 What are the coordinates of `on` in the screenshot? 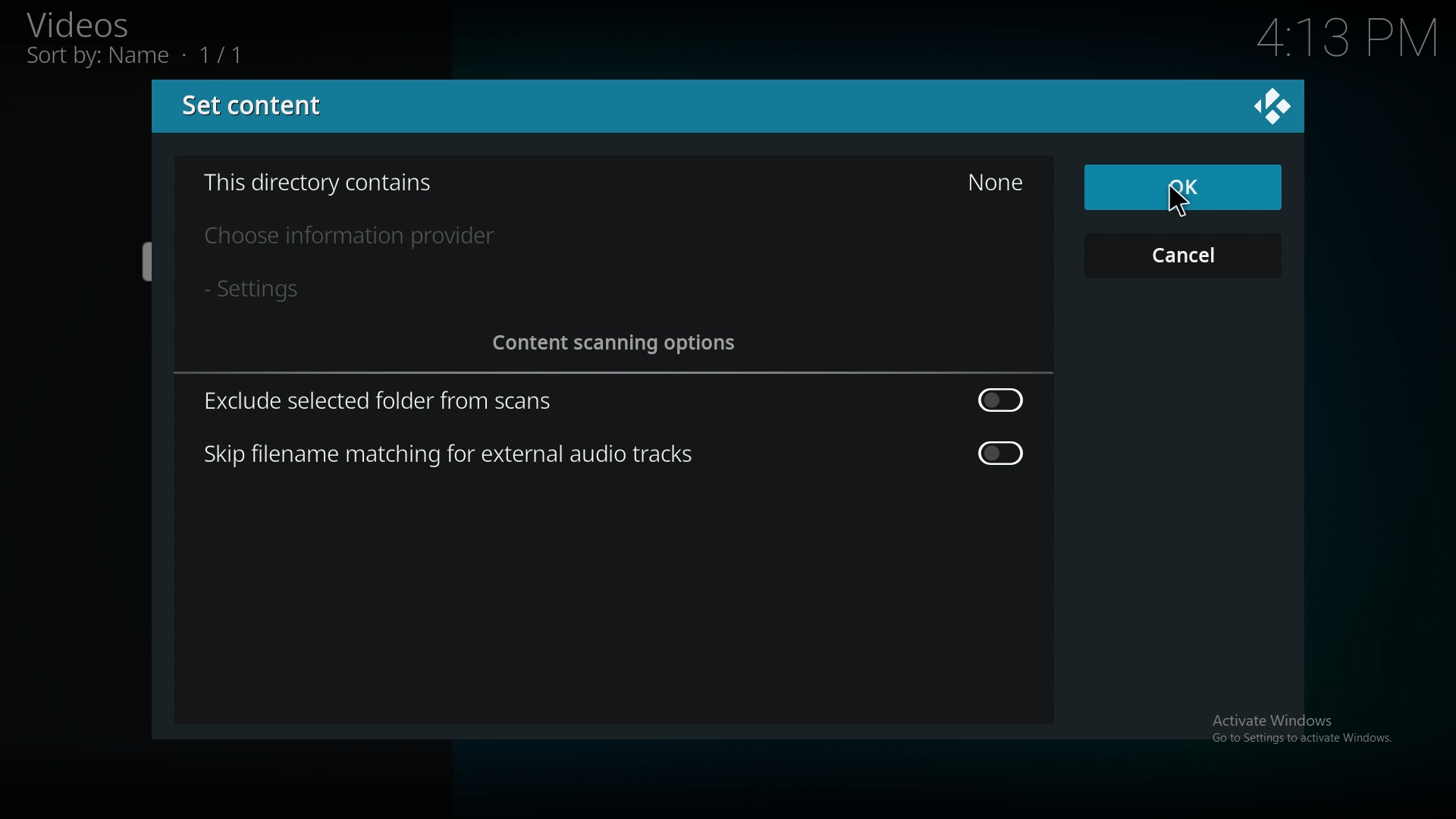 It's located at (1001, 399).